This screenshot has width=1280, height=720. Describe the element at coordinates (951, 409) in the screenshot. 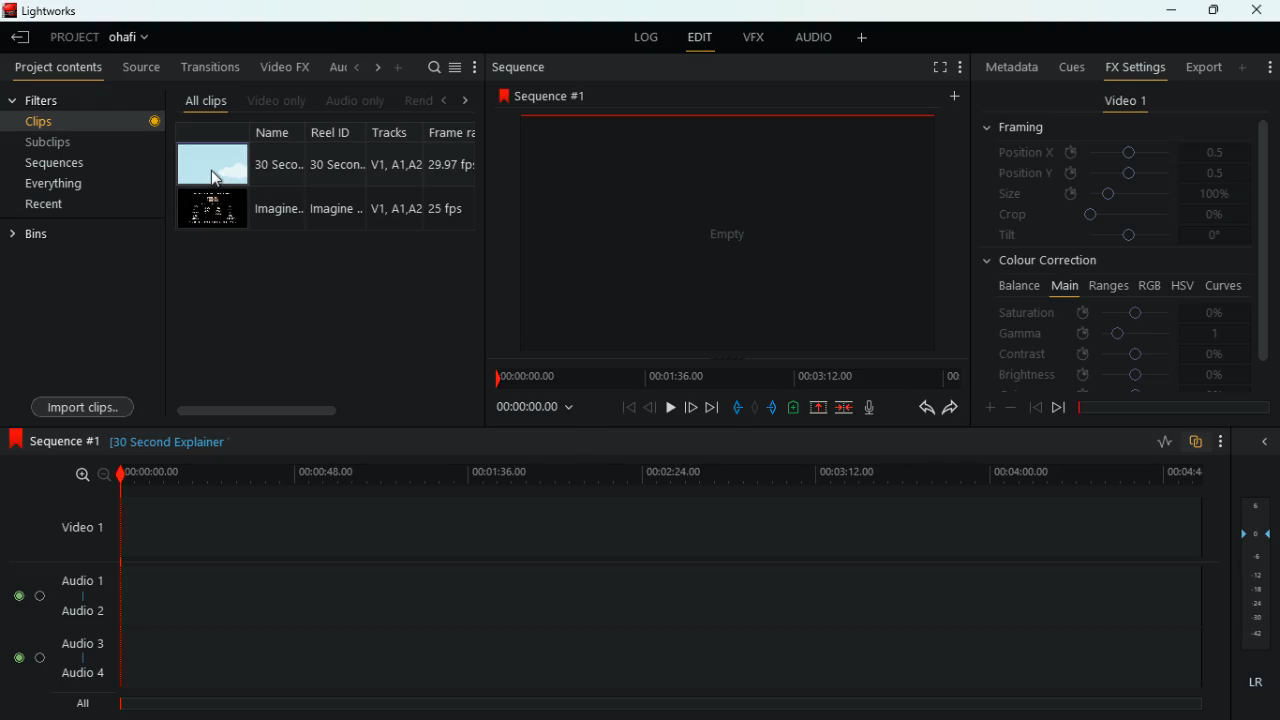

I see `forward` at that location.